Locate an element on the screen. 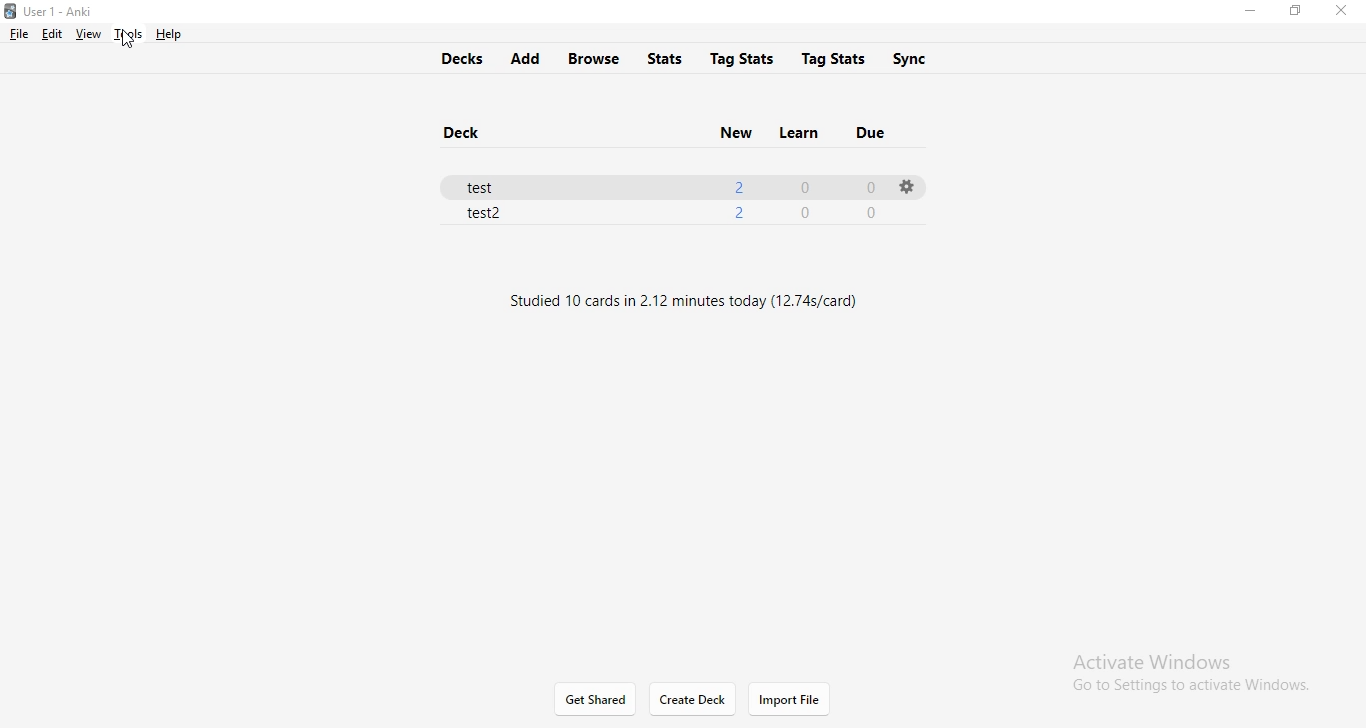 Image resolution: width=1366 pixels, height=728 pixels. edit is located at coordinates (50, 33).